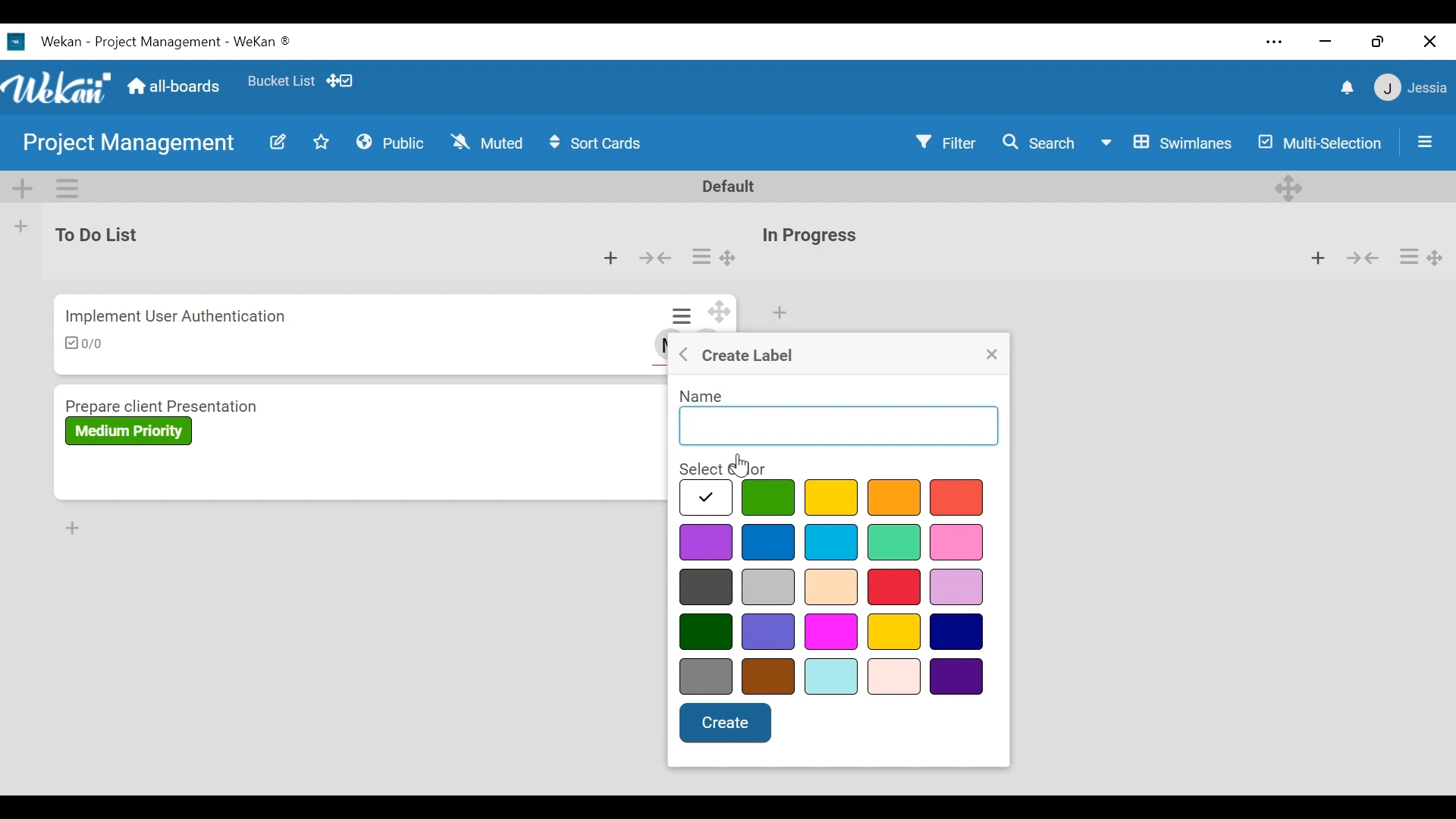  I want to click on close, so click(1429, 42).